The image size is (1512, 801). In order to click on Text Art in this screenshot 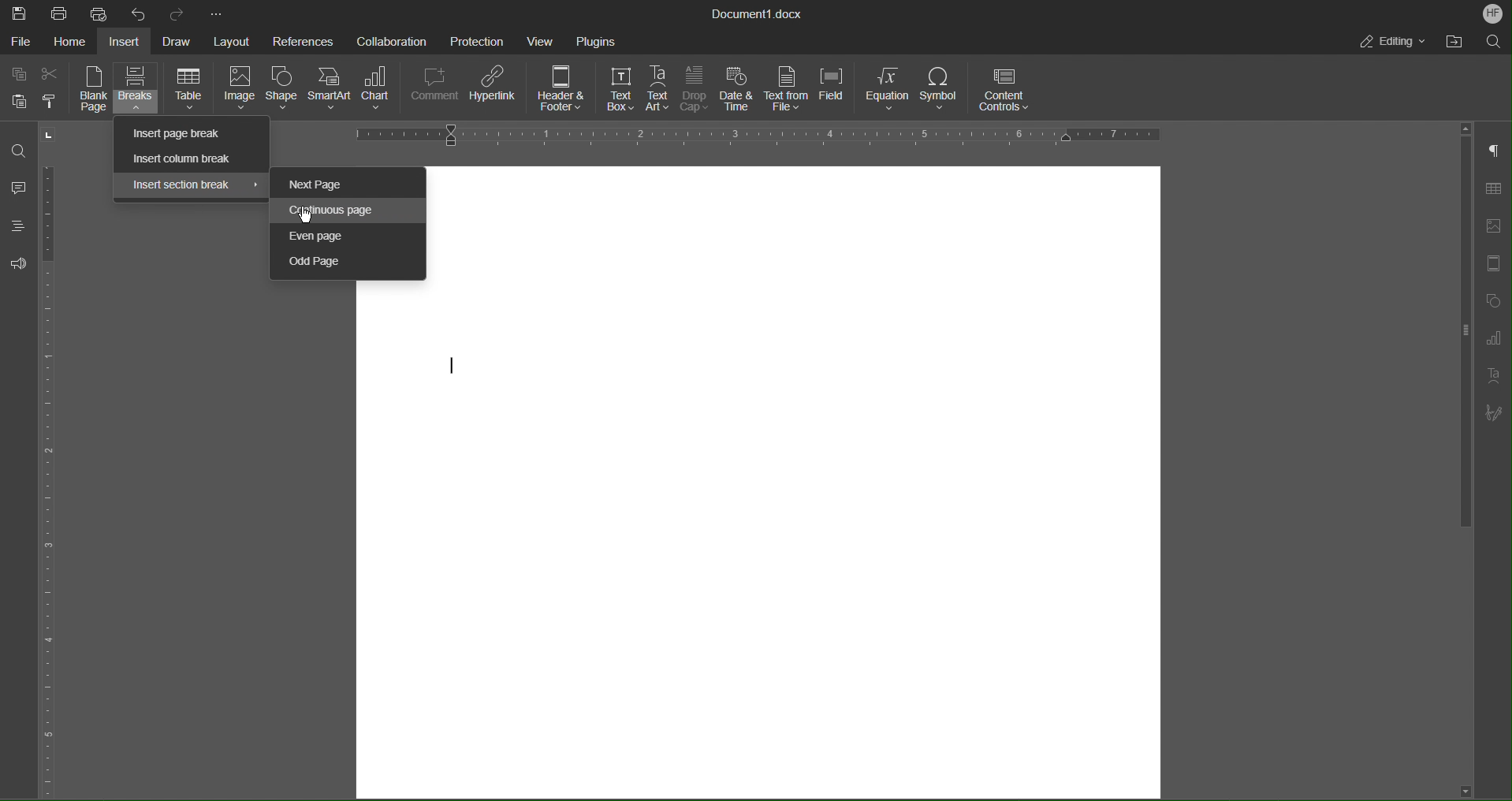, I will do `click(658, 90)`.